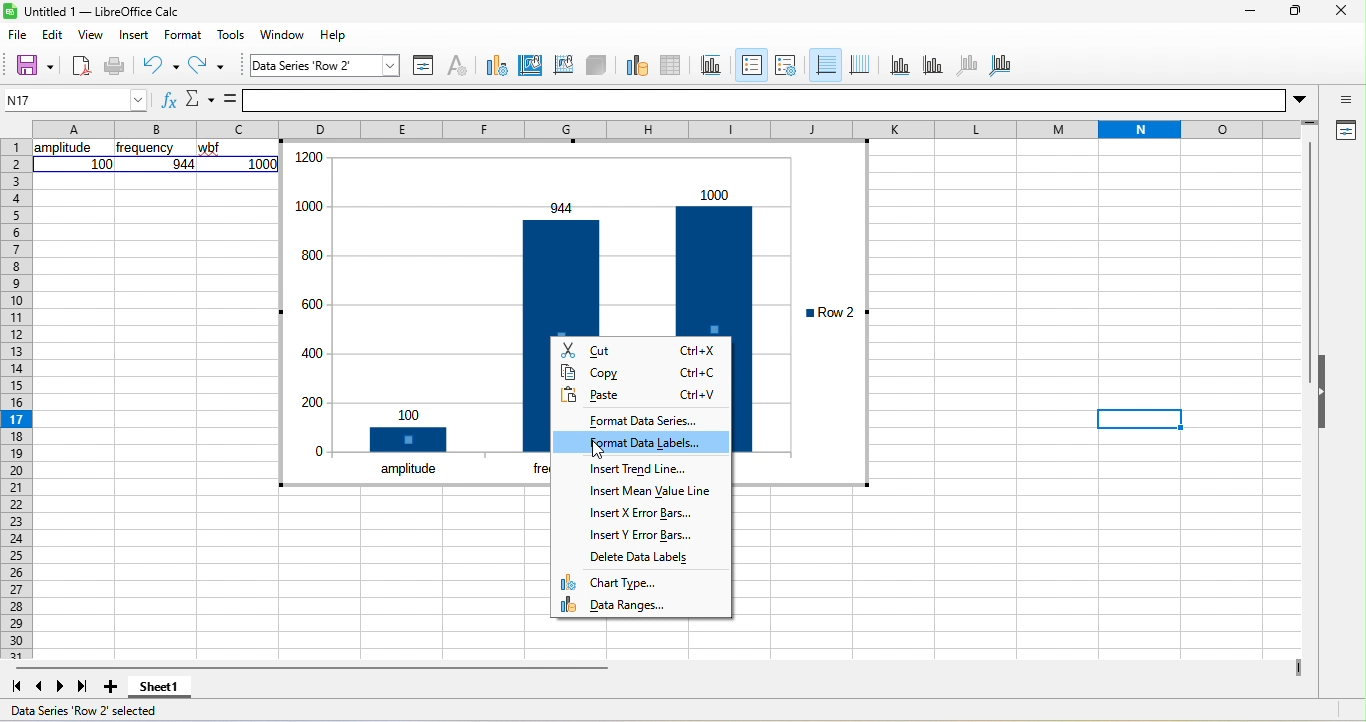  I want to click on 944, so click(182, 164).